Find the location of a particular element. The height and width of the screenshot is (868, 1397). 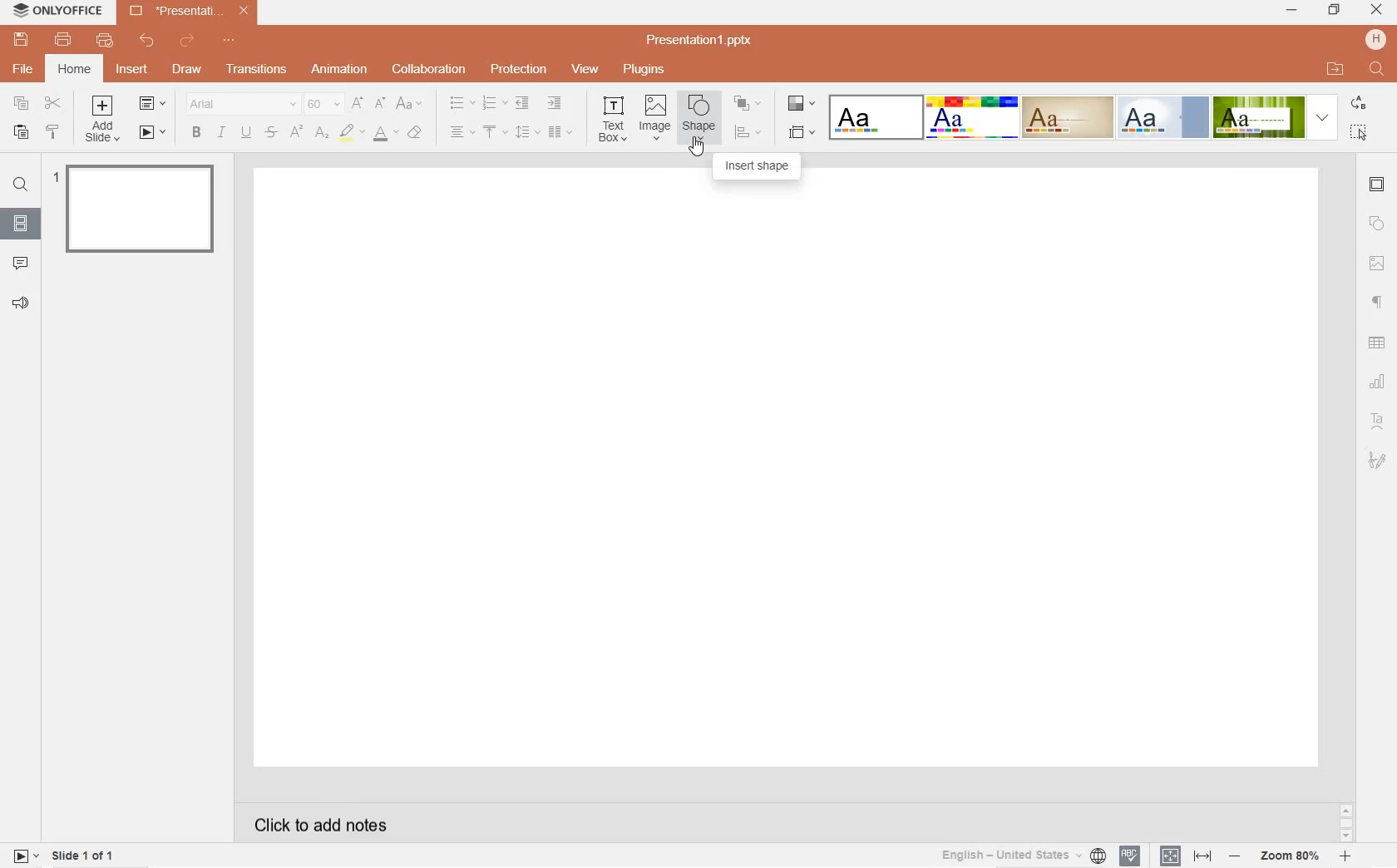

increment font size is located at coordinates (358, 103).